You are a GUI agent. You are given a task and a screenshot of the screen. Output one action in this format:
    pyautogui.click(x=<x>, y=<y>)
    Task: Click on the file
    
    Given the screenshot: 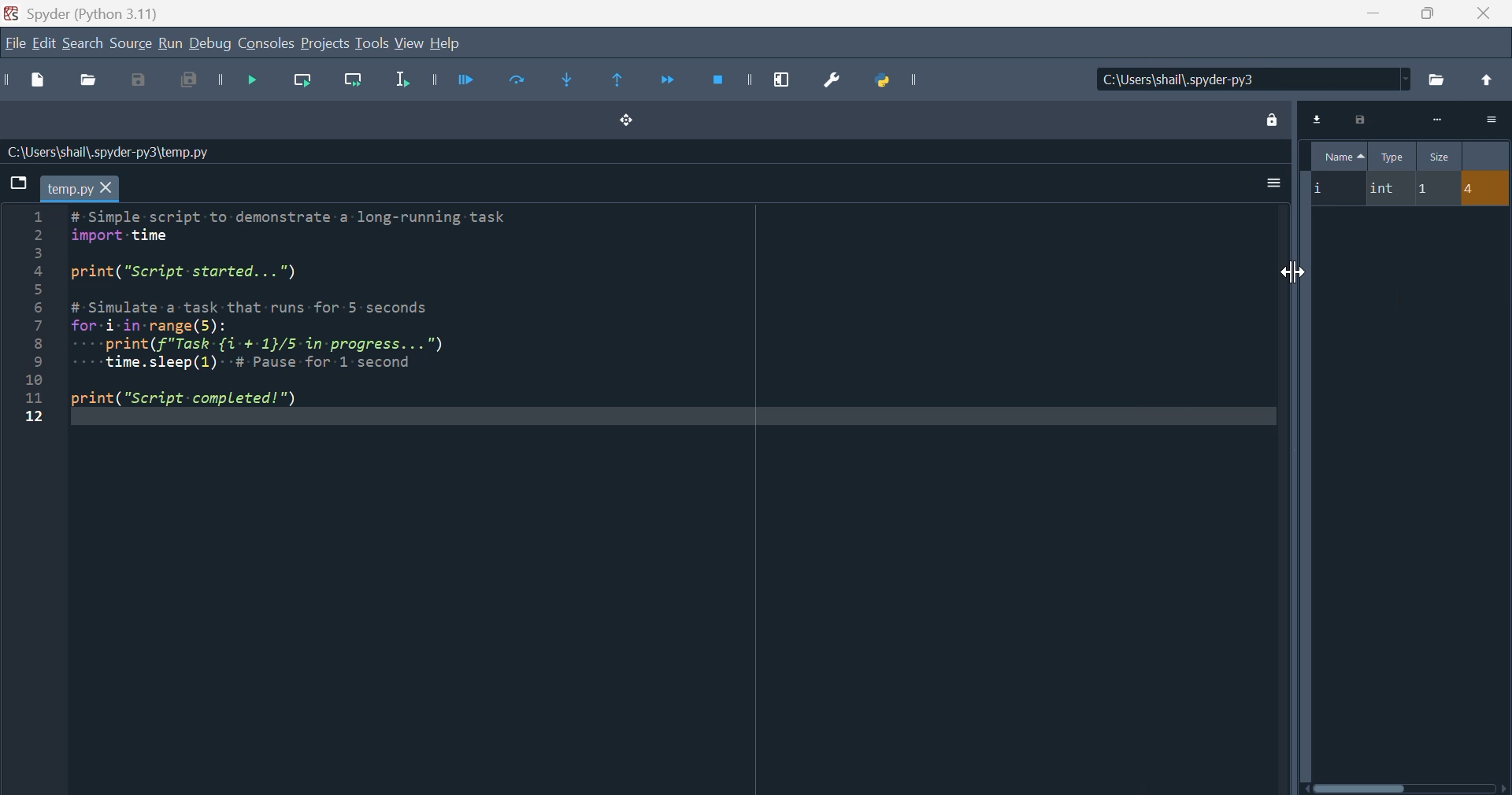 What is the action you would take?
    pyautogui.click(x=14, y=43)
    